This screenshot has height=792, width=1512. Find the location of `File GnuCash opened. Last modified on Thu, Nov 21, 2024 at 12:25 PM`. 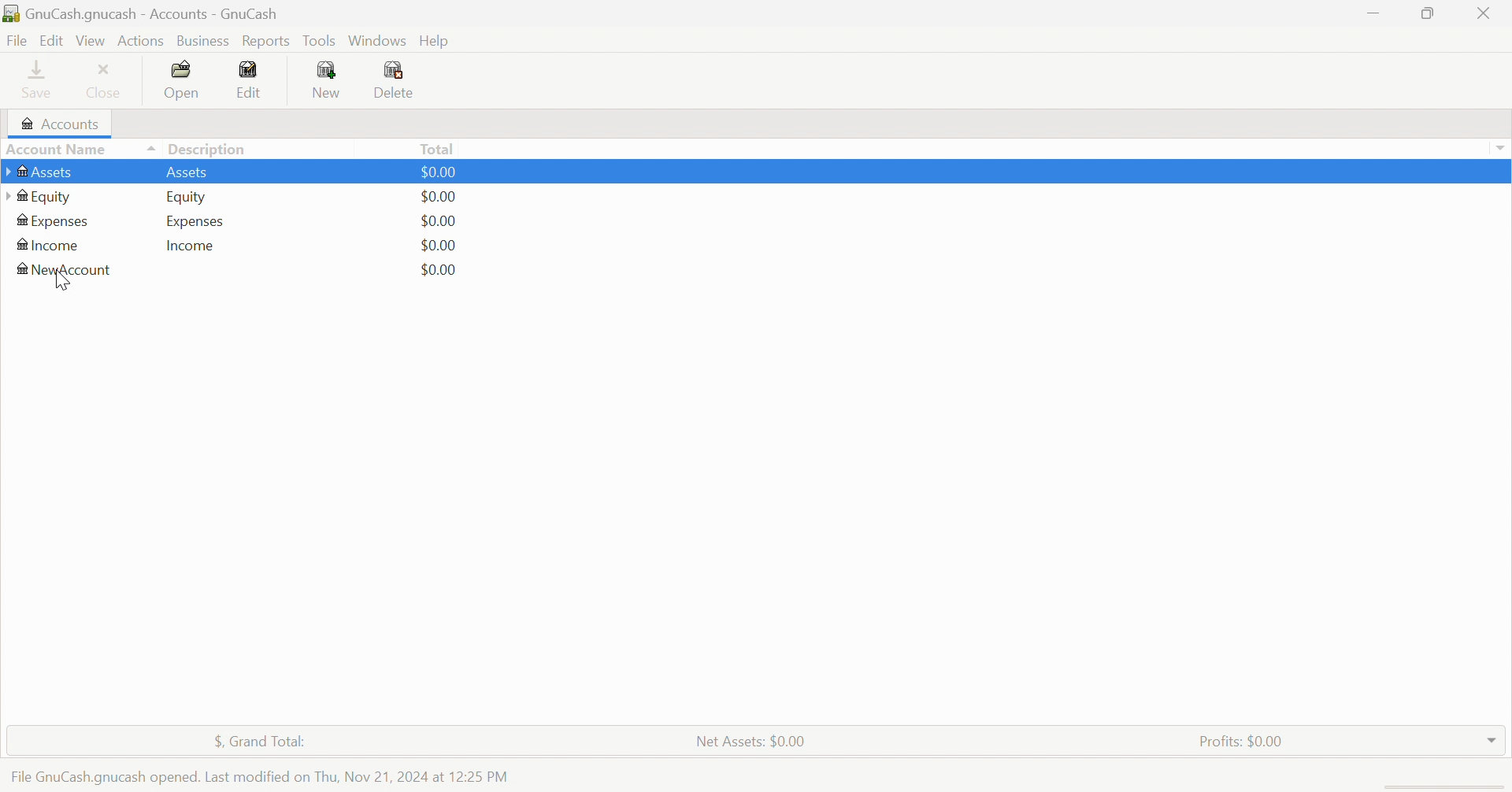

File GnuCash opened. Last modified on Thu, Nov 21, 2024 at 12:25 PM is located at coordinates (265, 778).